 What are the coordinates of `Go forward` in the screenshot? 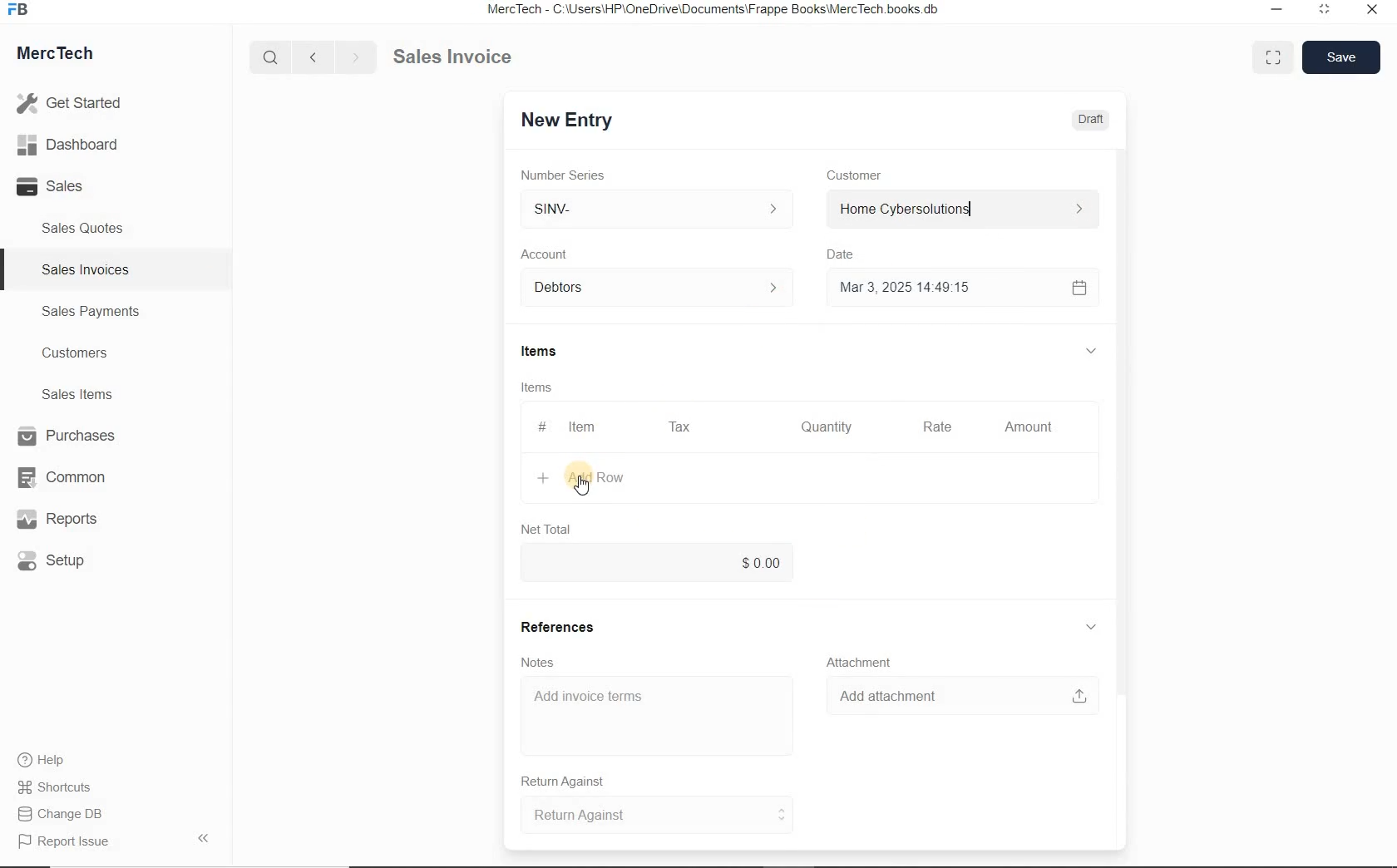 It's located at (355, 57).